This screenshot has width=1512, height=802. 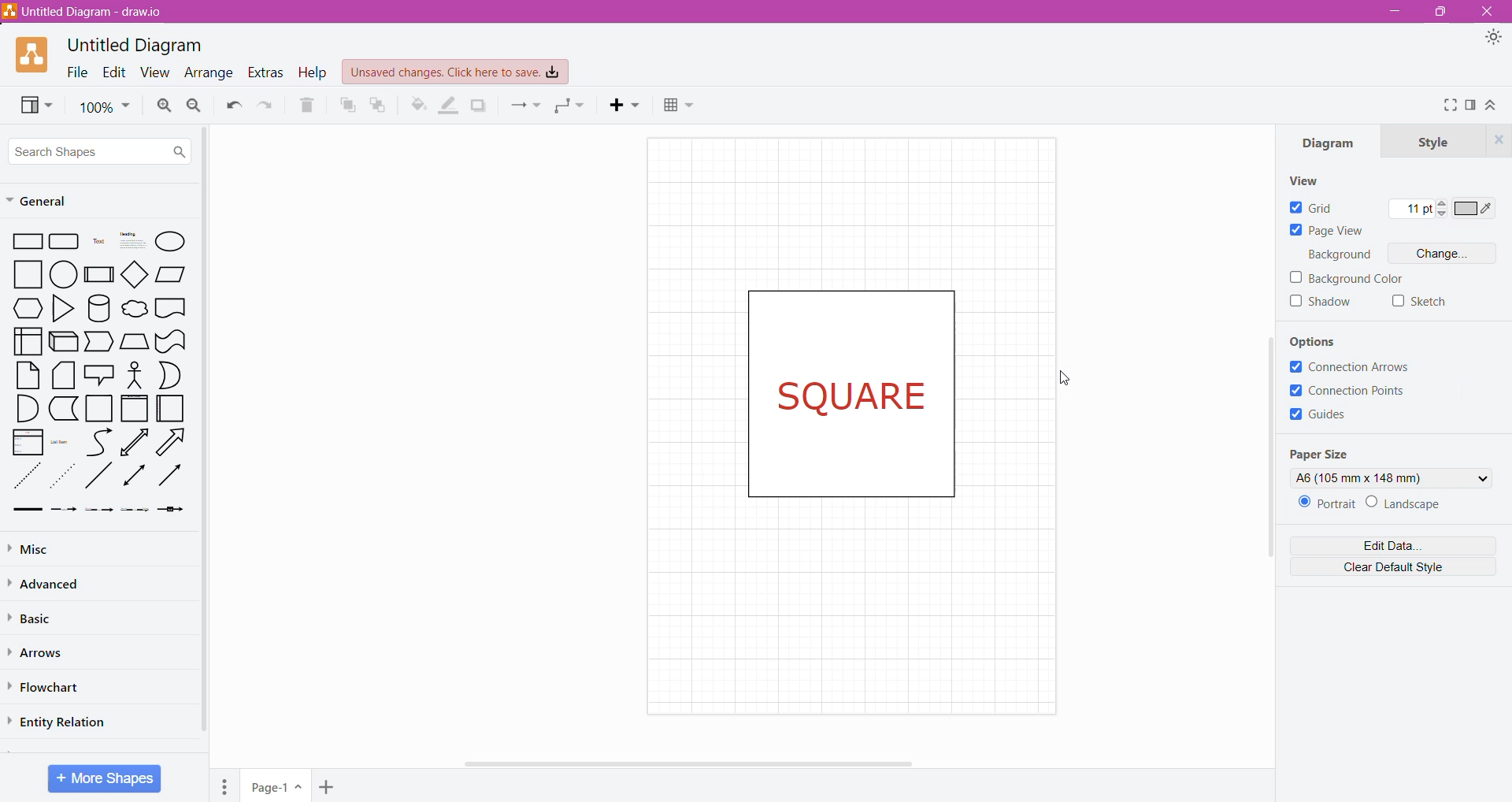 I want to click on hexagon, so click(x=27, y=308).